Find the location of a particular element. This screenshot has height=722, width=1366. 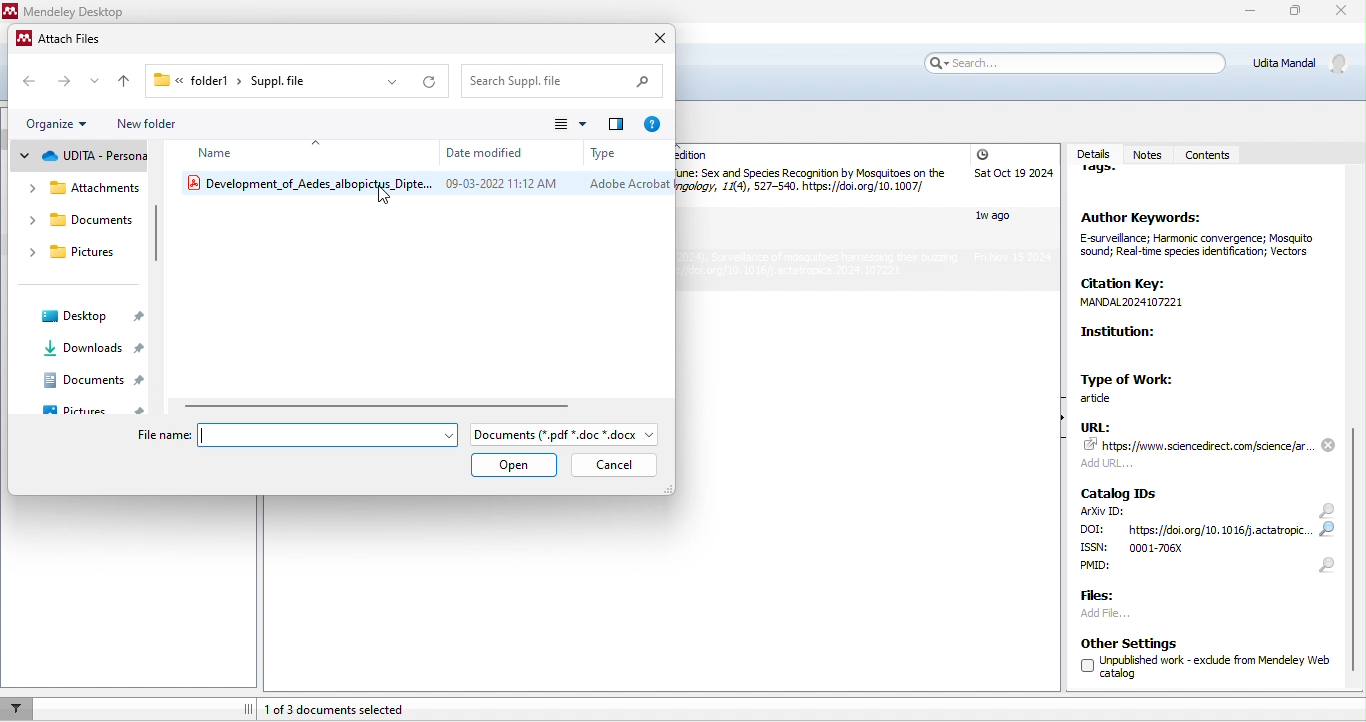

new folder is located at coordinates (177, 126).